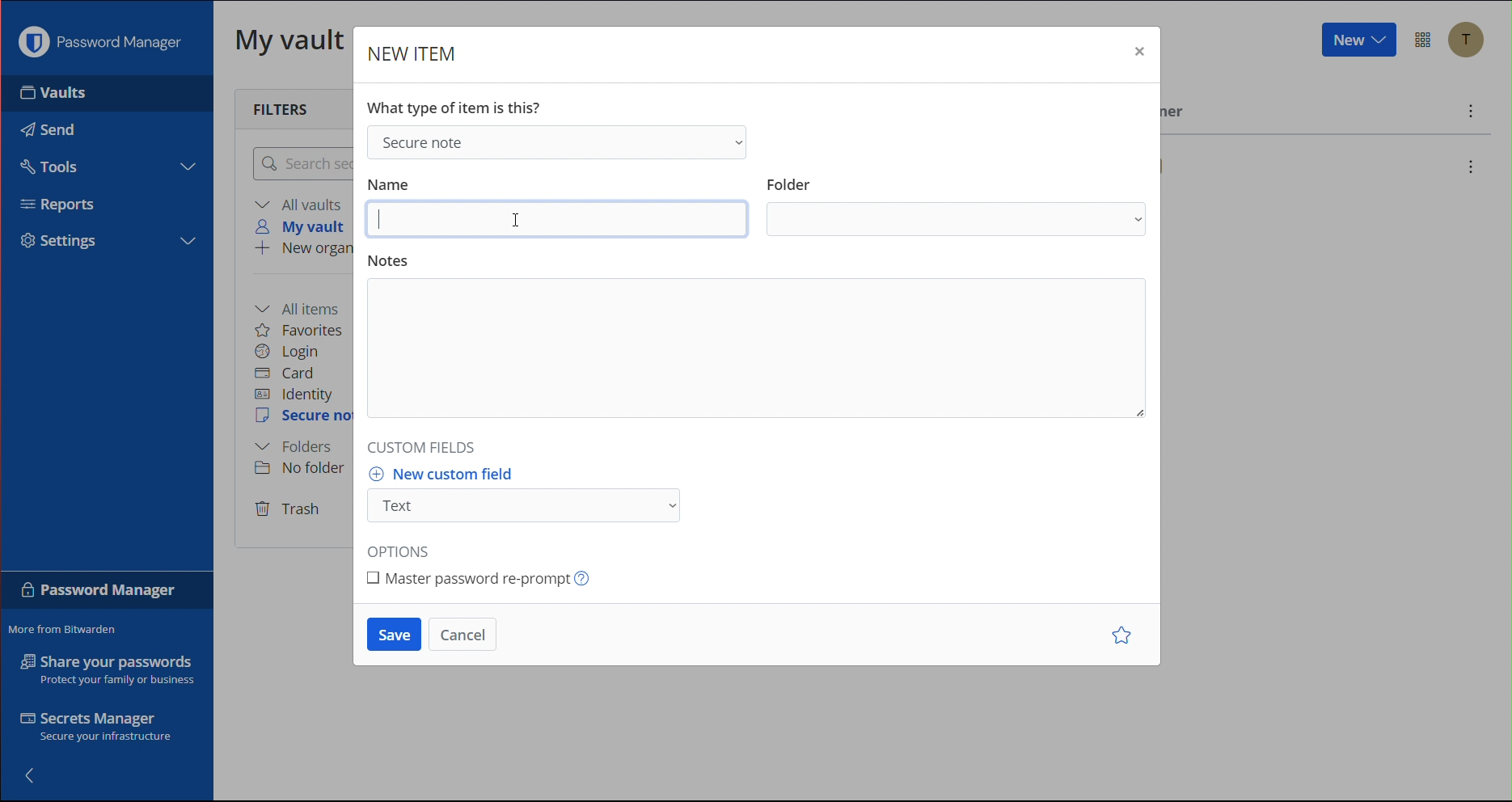  Describe the element at coordinates (1138, 55) in the screenshot. I see `Close` at that location.